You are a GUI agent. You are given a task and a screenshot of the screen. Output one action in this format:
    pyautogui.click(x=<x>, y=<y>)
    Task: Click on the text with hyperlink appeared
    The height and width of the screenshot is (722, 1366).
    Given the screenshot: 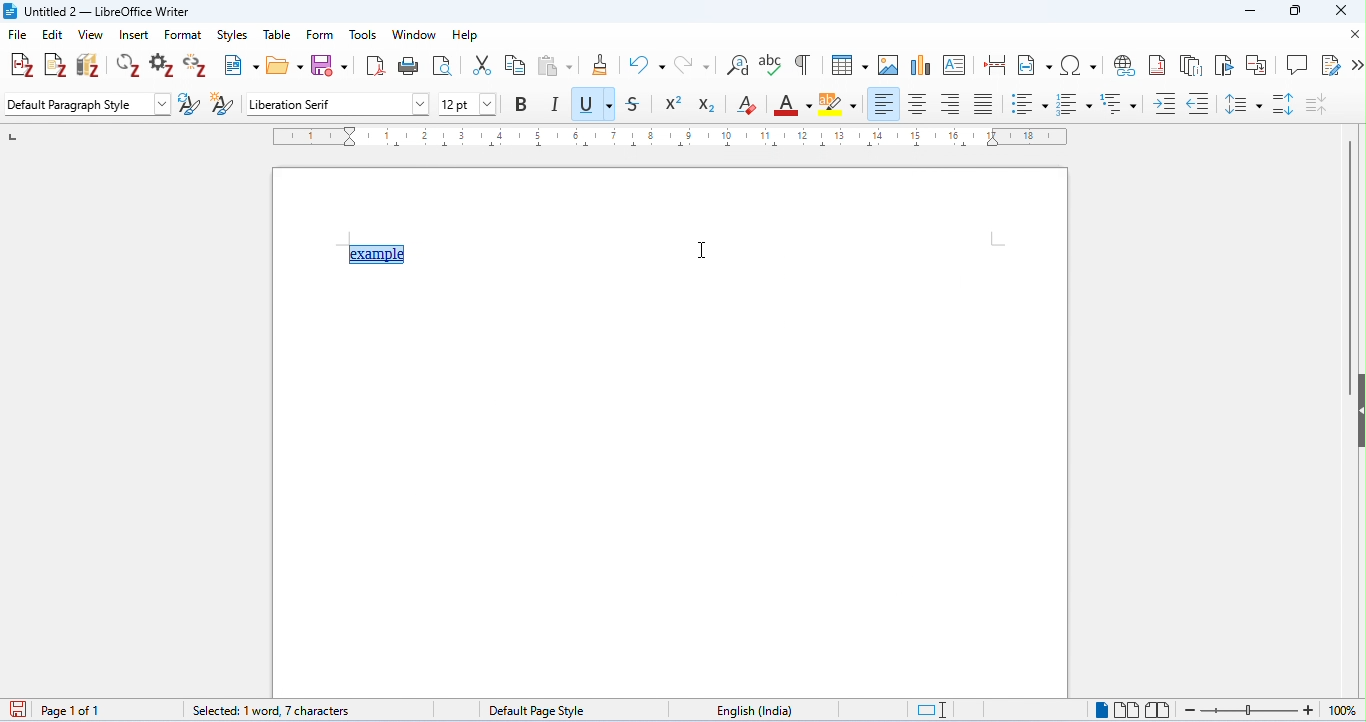 What is the action you would take?
    pyautogui.click(x=382, y=255)
    